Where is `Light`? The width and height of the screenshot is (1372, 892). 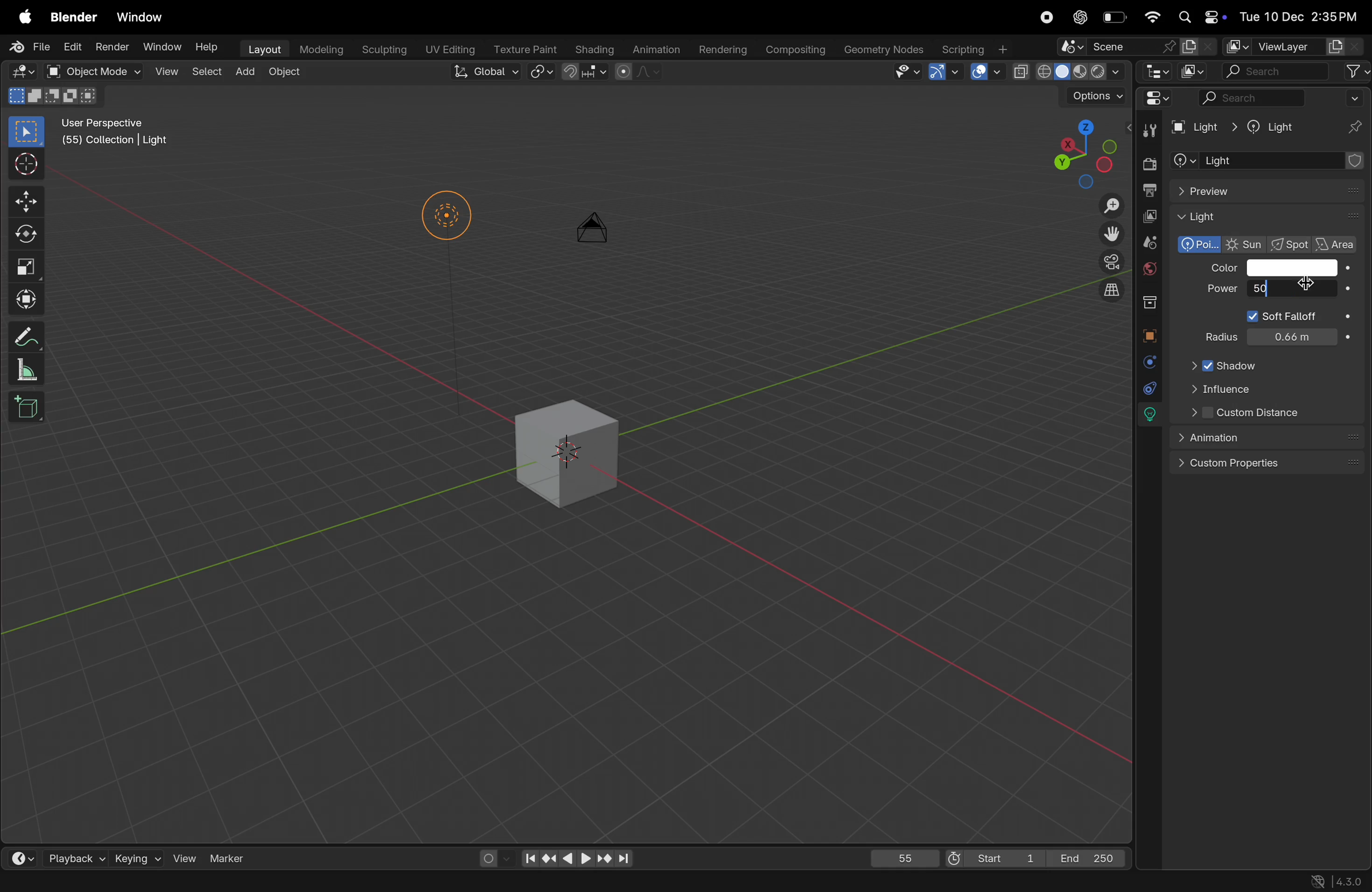
Light is located at coordinates (1275, 126).